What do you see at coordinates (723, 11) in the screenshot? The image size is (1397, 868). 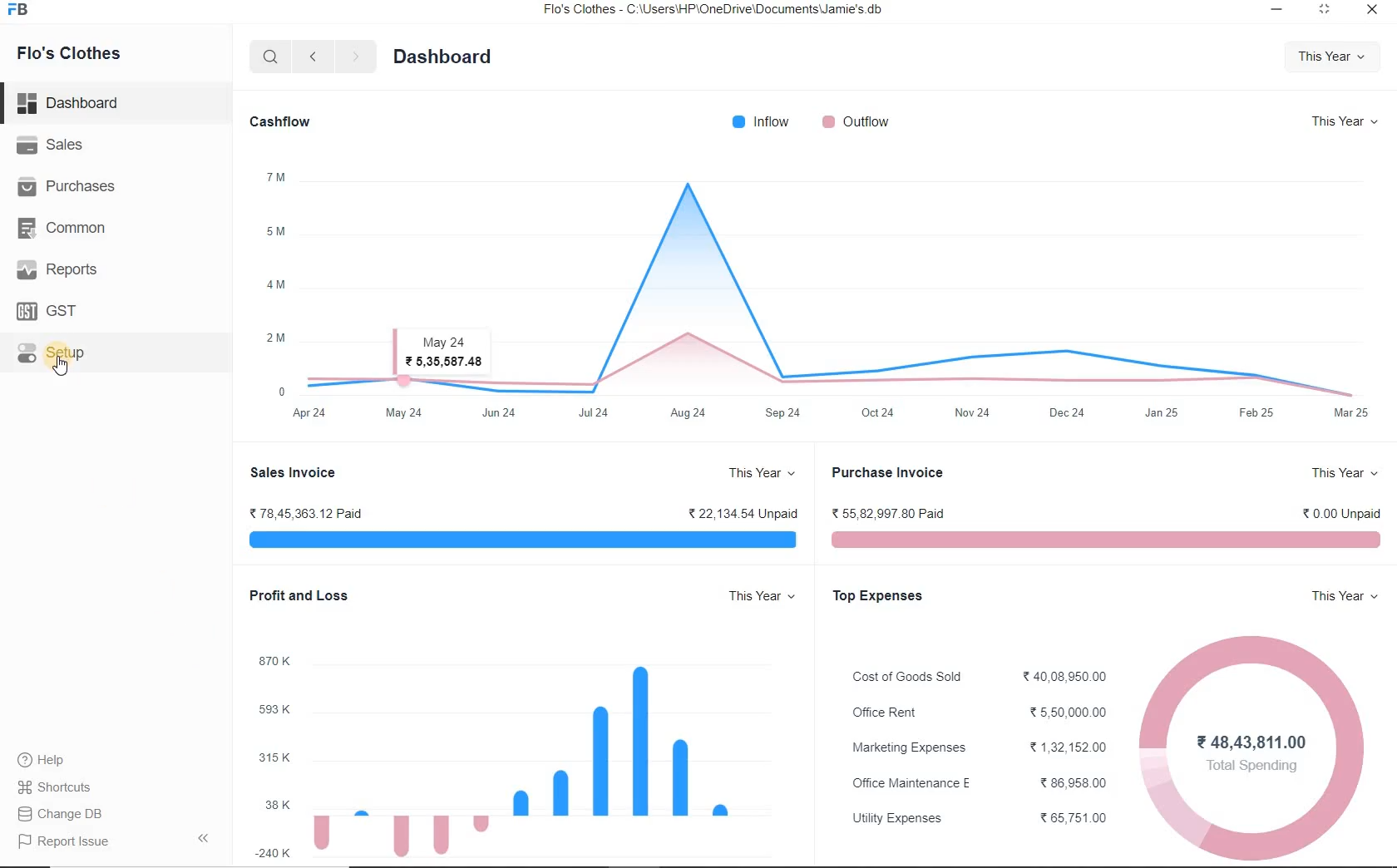 I see `Flo's Clothes - C:\Users\HP\OneDrive\Documents\Jamie's db` at bounding box center [723, 11].